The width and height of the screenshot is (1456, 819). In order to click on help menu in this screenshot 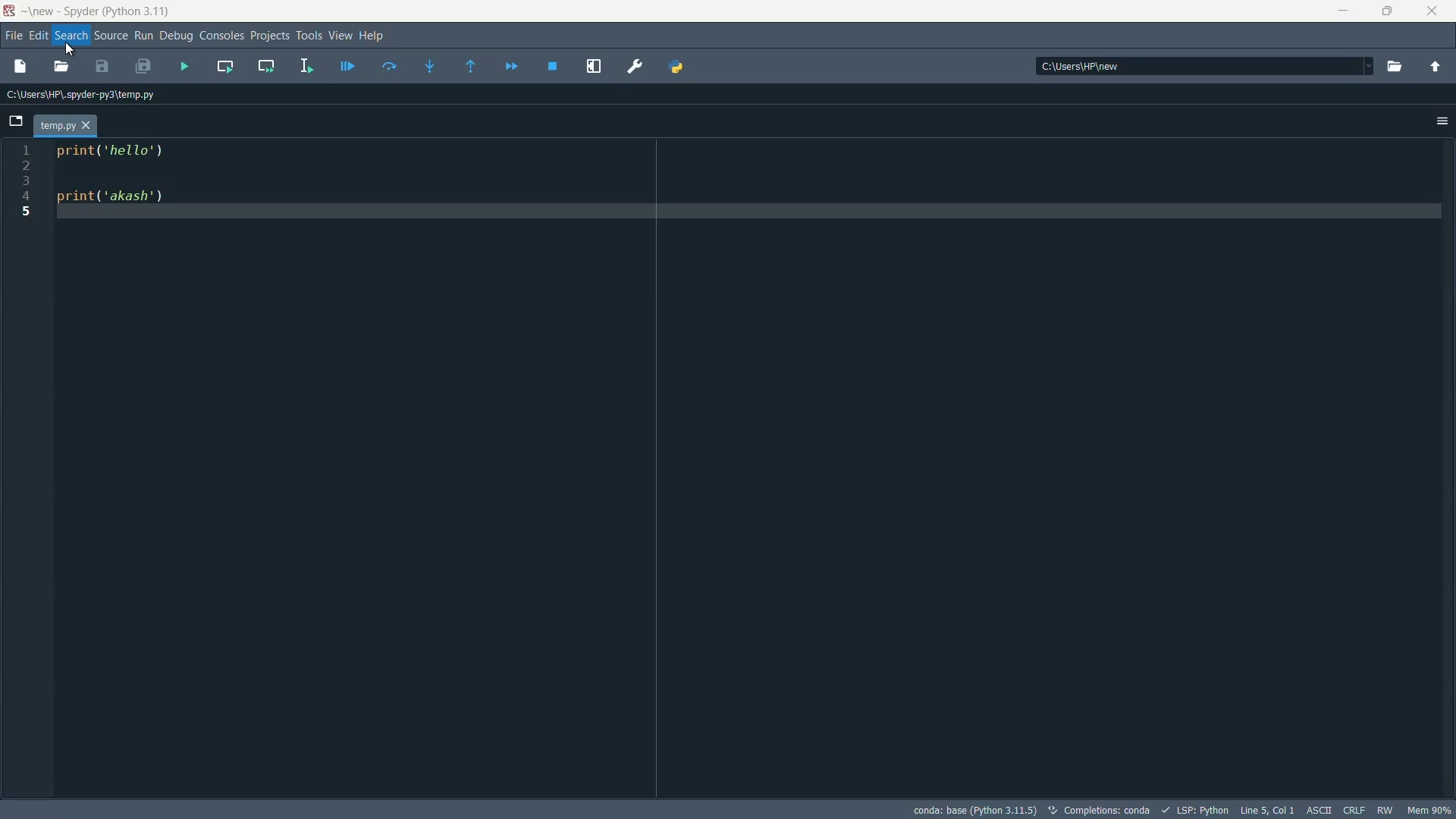, I will do `click(376, 35)`.